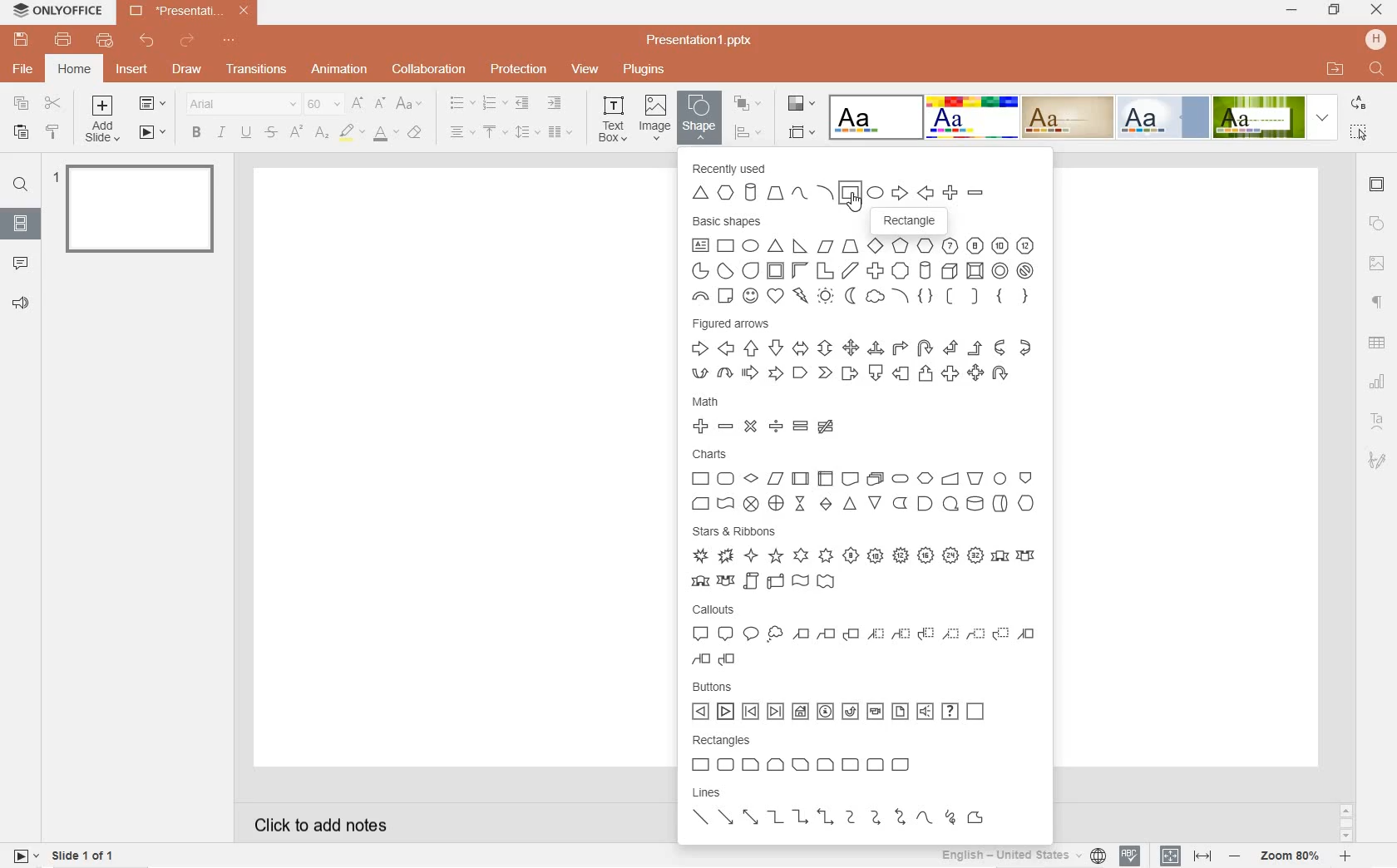  Describe the element at coordinates (801, 270) in the screenshot. I see `Half Frame` at that location.